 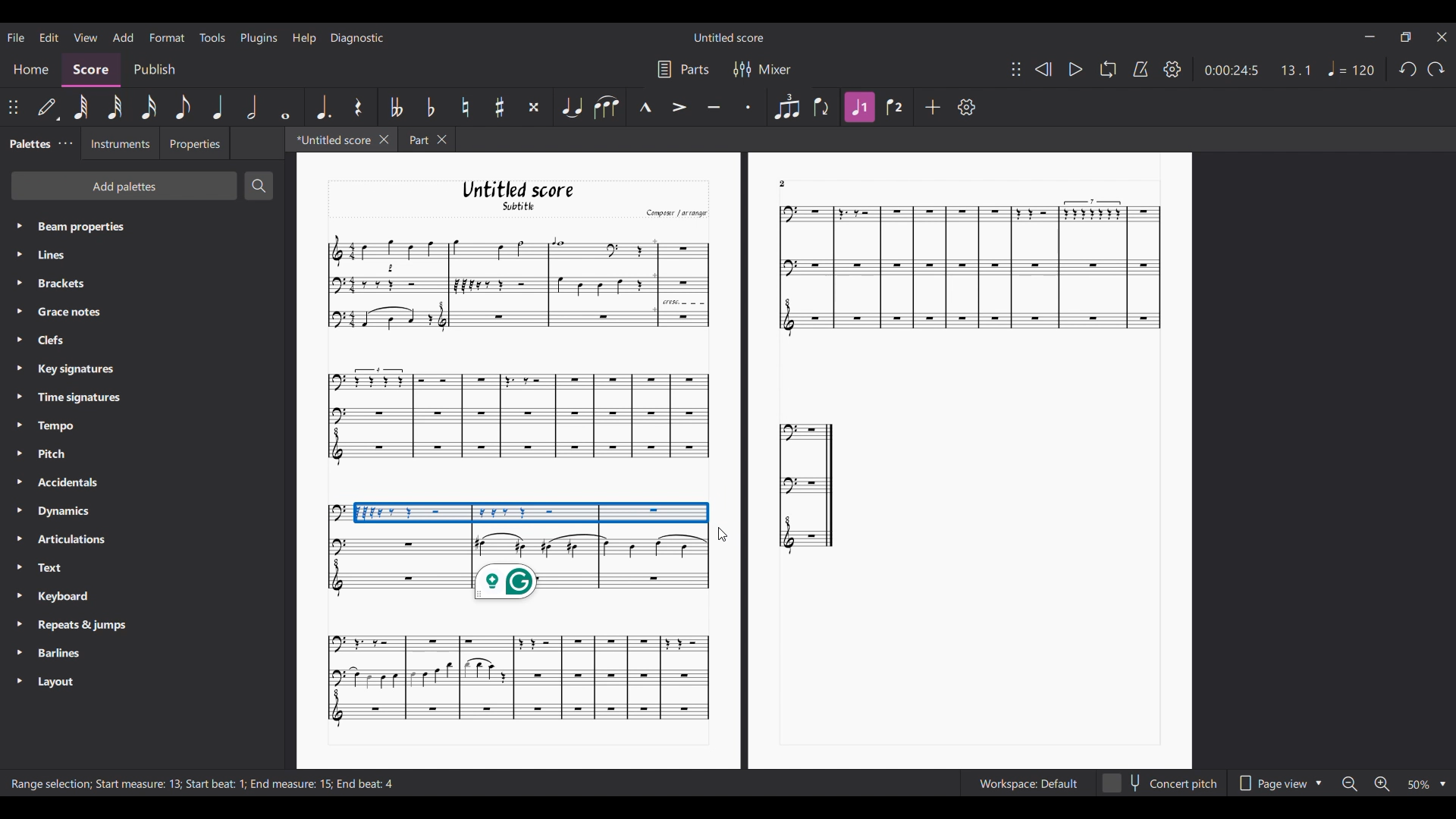 What do you see at coordinates (116, 143) in the screenshot?
I see `Instruments` at bounding box center [116, 143].